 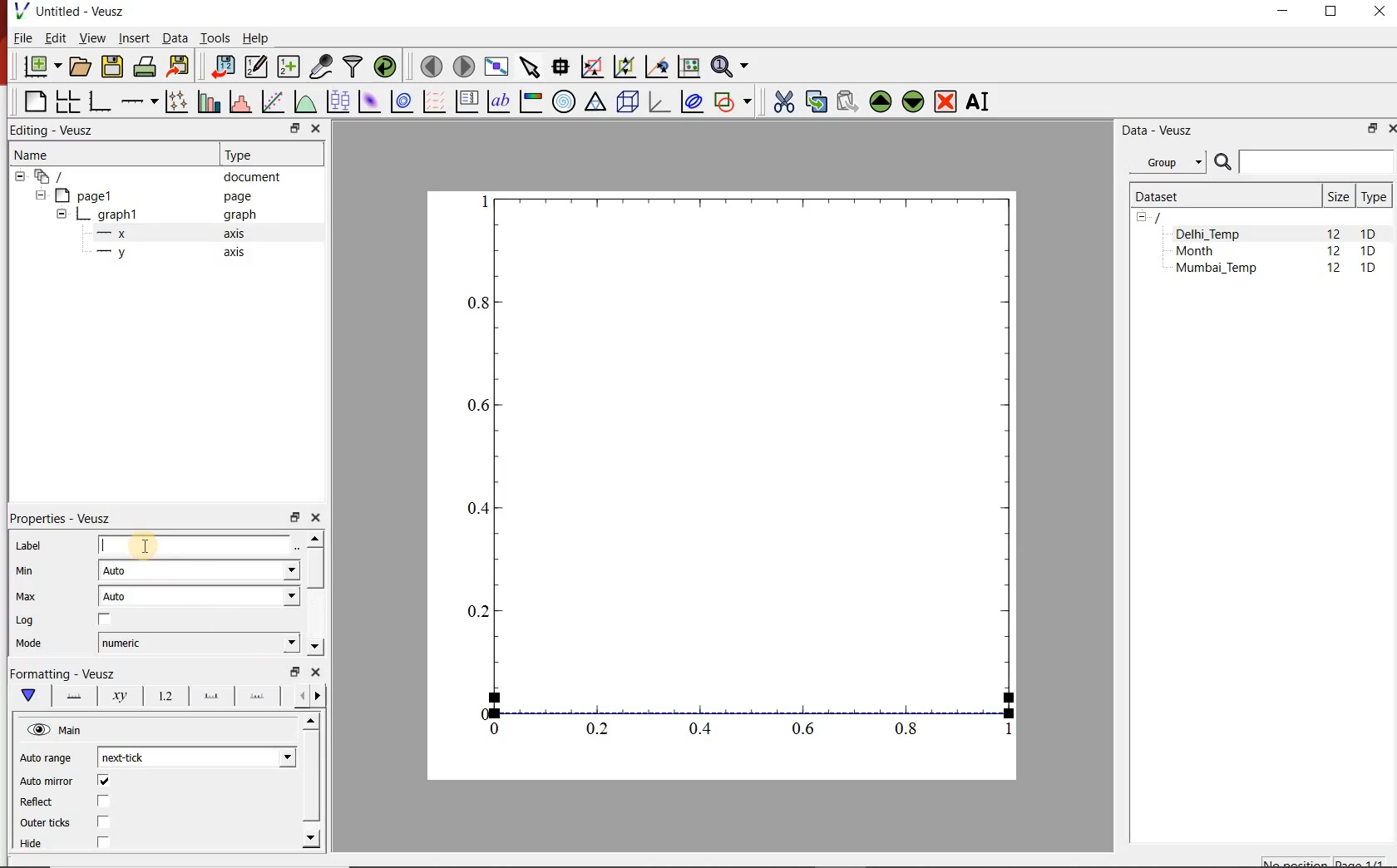 What do you see at coordinates (72, 696) in the screenshot?
I see `Axis line` at bounding box center [72, 696].